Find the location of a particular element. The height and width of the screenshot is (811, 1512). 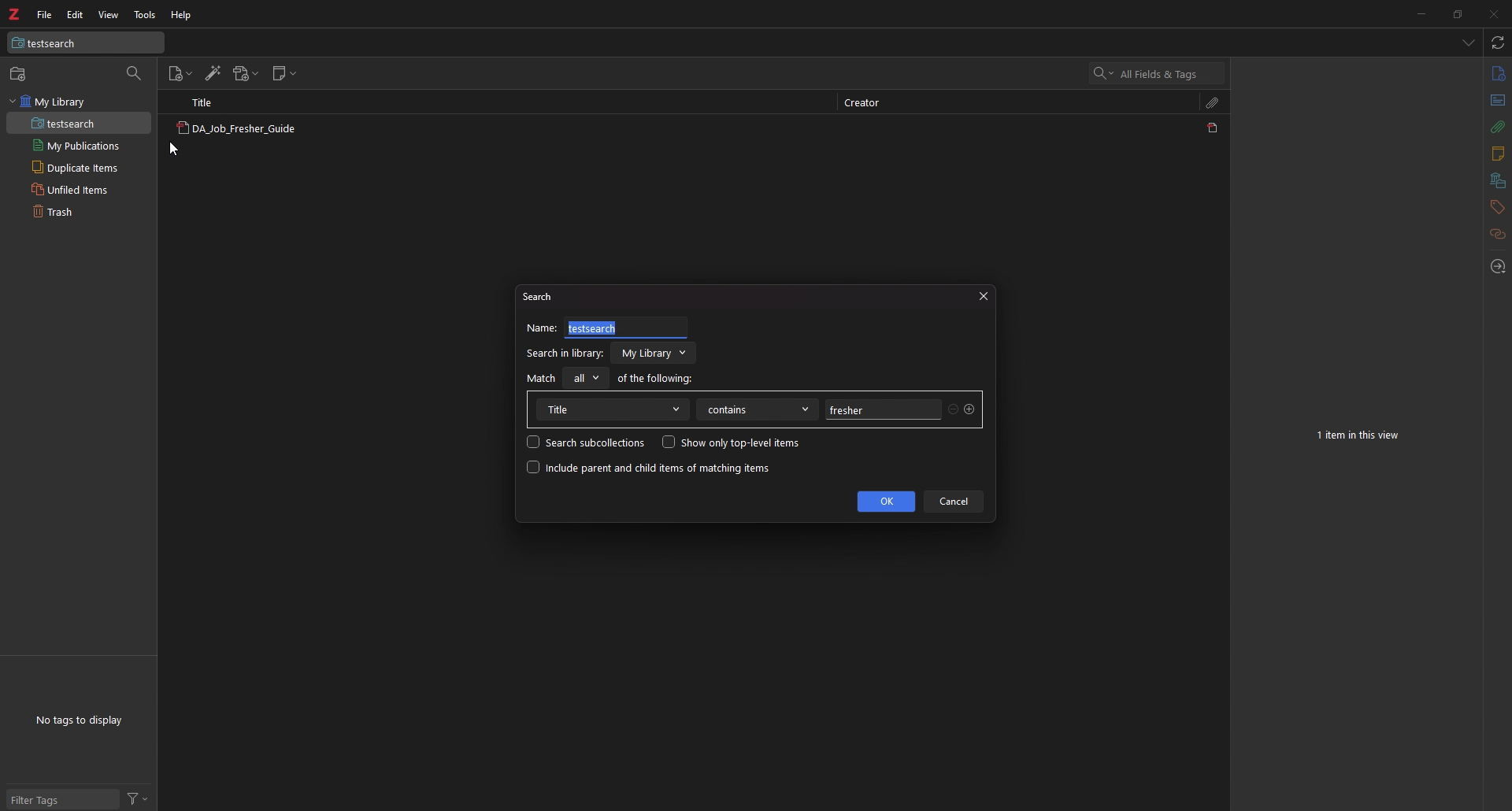

attachment is located at coordinates (1214, 102).